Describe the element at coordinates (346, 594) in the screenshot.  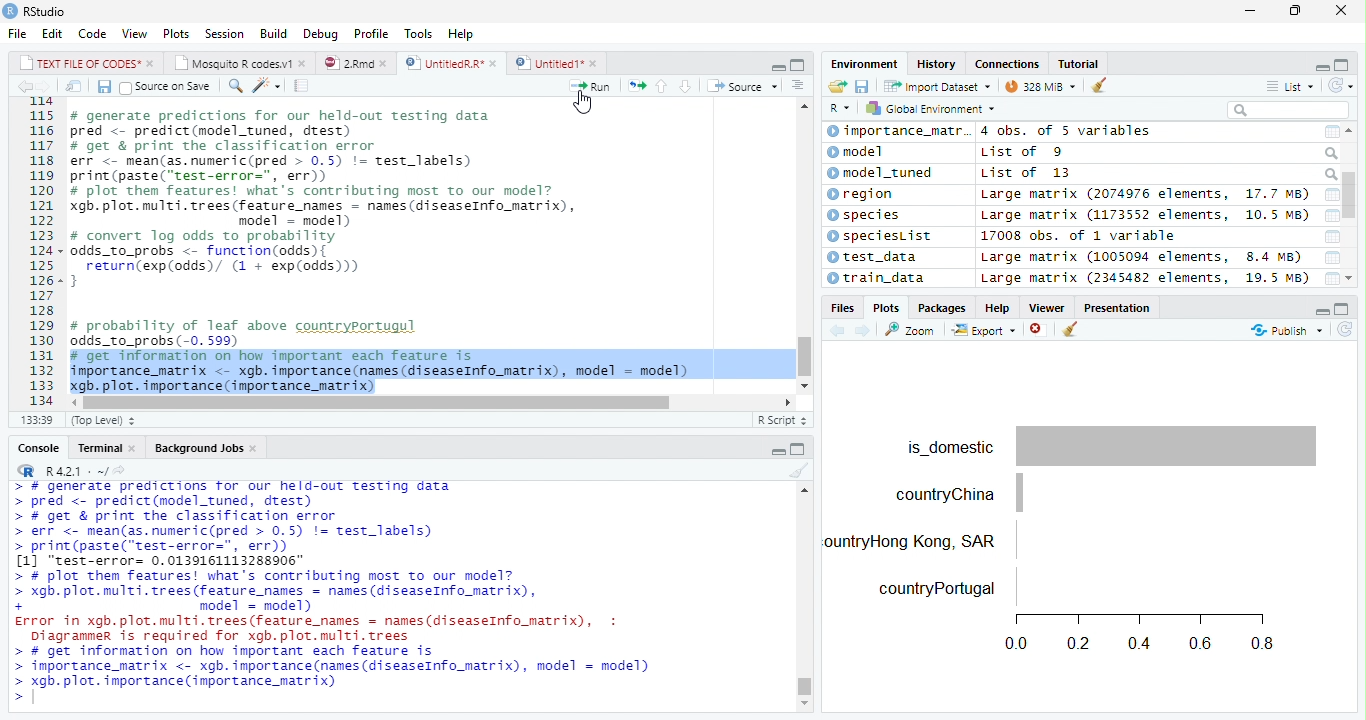
I see `> pred <- predict(model_tuned, dtest)

> # get & print the classification error

> err <- mean(as.numeric(pred > 0.5) != test_labels)

> print(paste("test-error=", err))

[1] "test-error= 0.0139161113288906"

> # plot them features! what's contributing most to our model?

> xgb.plot. multi. trees (feature names = names (diseaseInfo_matrix),

+ model = model)

Error in xgb.plot.multi.trees(feature names = names(diseaseInfo_matrix), :
Diagrammer is required for xgb.plot.multi.trees

> # get information on how important each feature is

> importance_matrix <- xgb. importance (names (diseaseInfo_matrix), model = model)

> xgb. plot. importance (impor tance_matrix)

>|` at that location.